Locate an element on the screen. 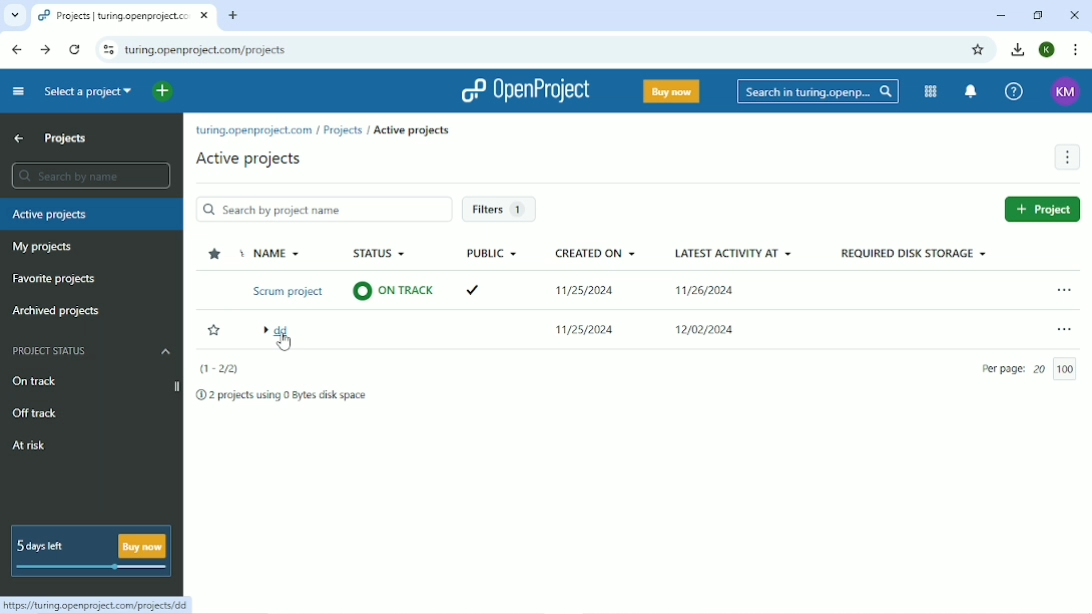  Search tabs is located at coordinates (14, 14).